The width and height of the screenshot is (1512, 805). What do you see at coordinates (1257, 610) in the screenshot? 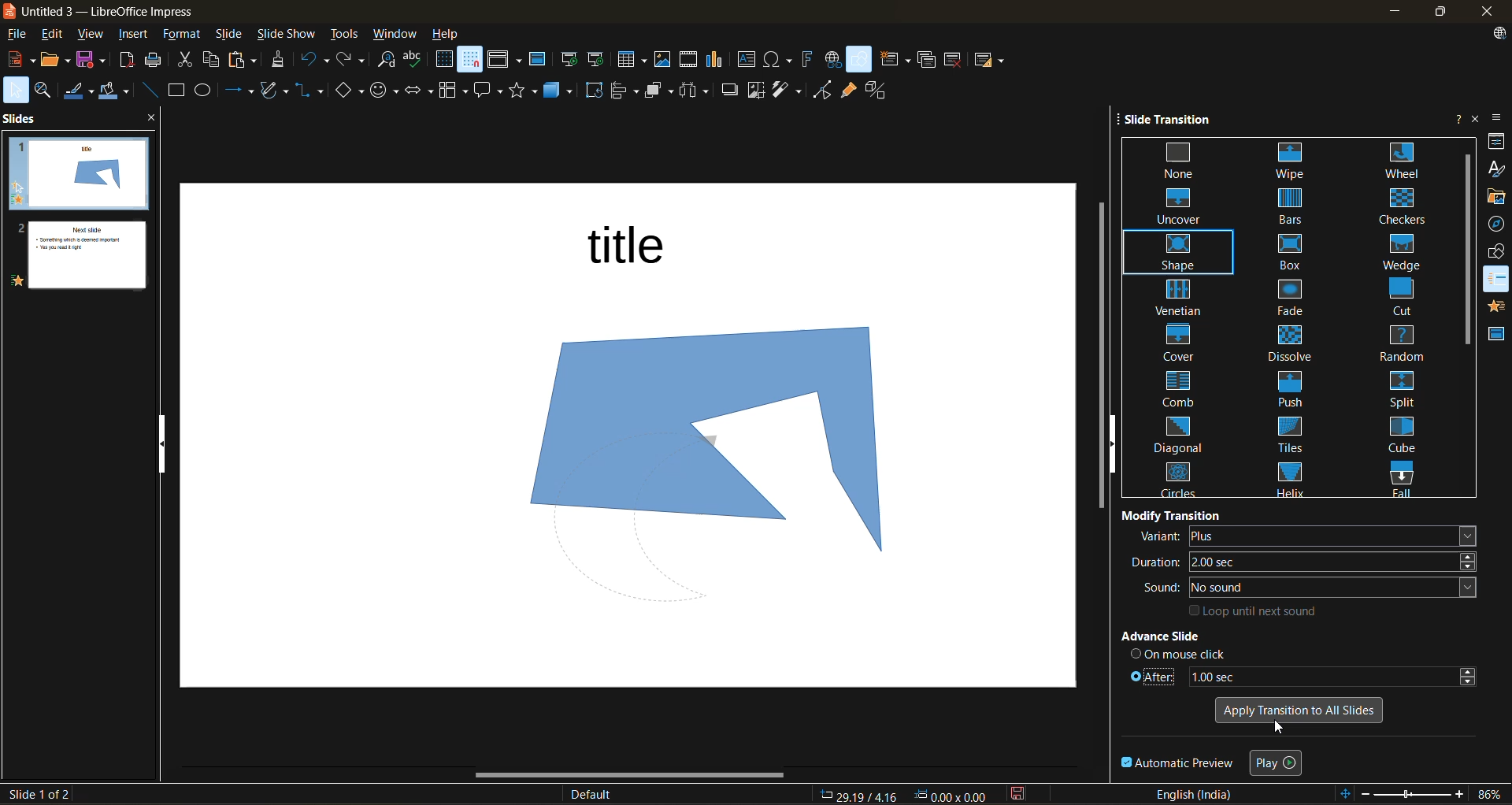
I see `loop until next sound` at bounding box center [1257, 610].